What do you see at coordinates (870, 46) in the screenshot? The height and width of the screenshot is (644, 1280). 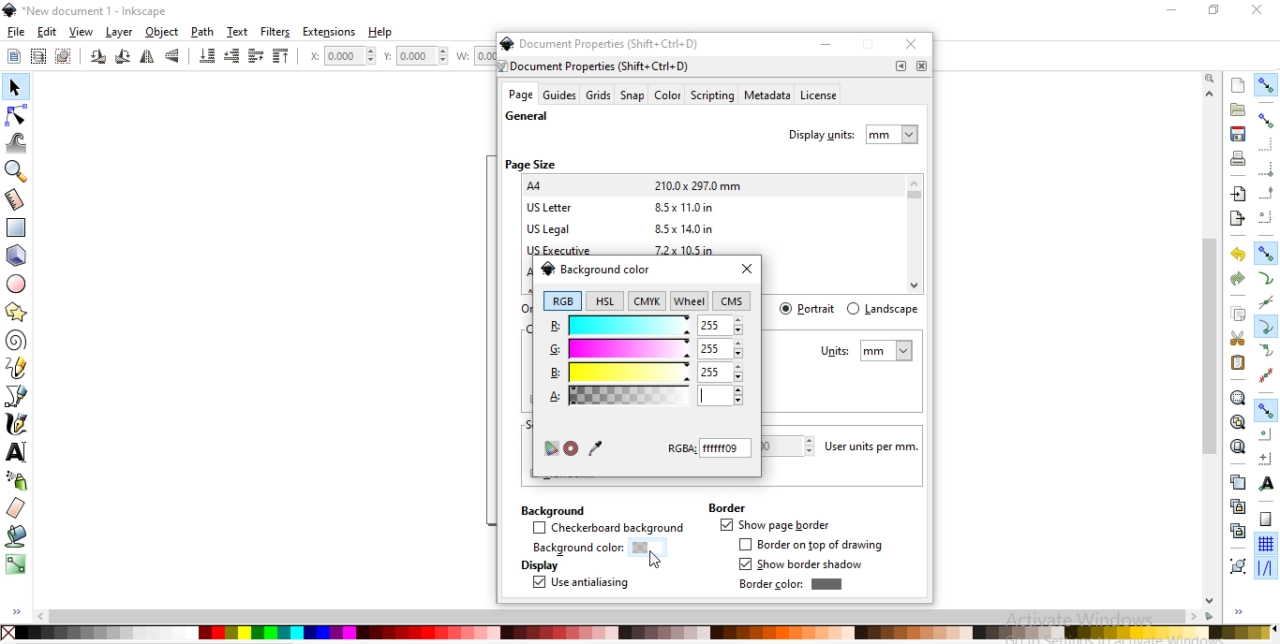 I see `restore down` at bounding box center [870, 46].